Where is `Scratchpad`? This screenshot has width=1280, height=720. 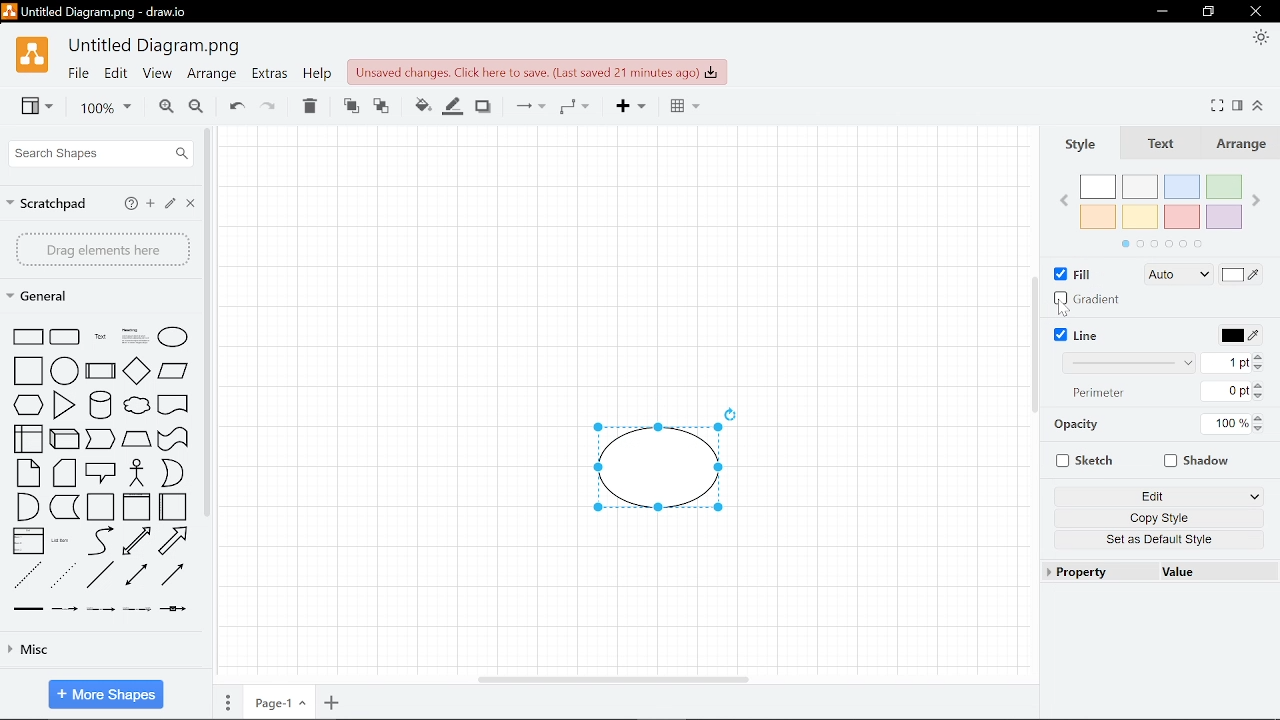
Scratchpad is located at coordinates (48, 205).